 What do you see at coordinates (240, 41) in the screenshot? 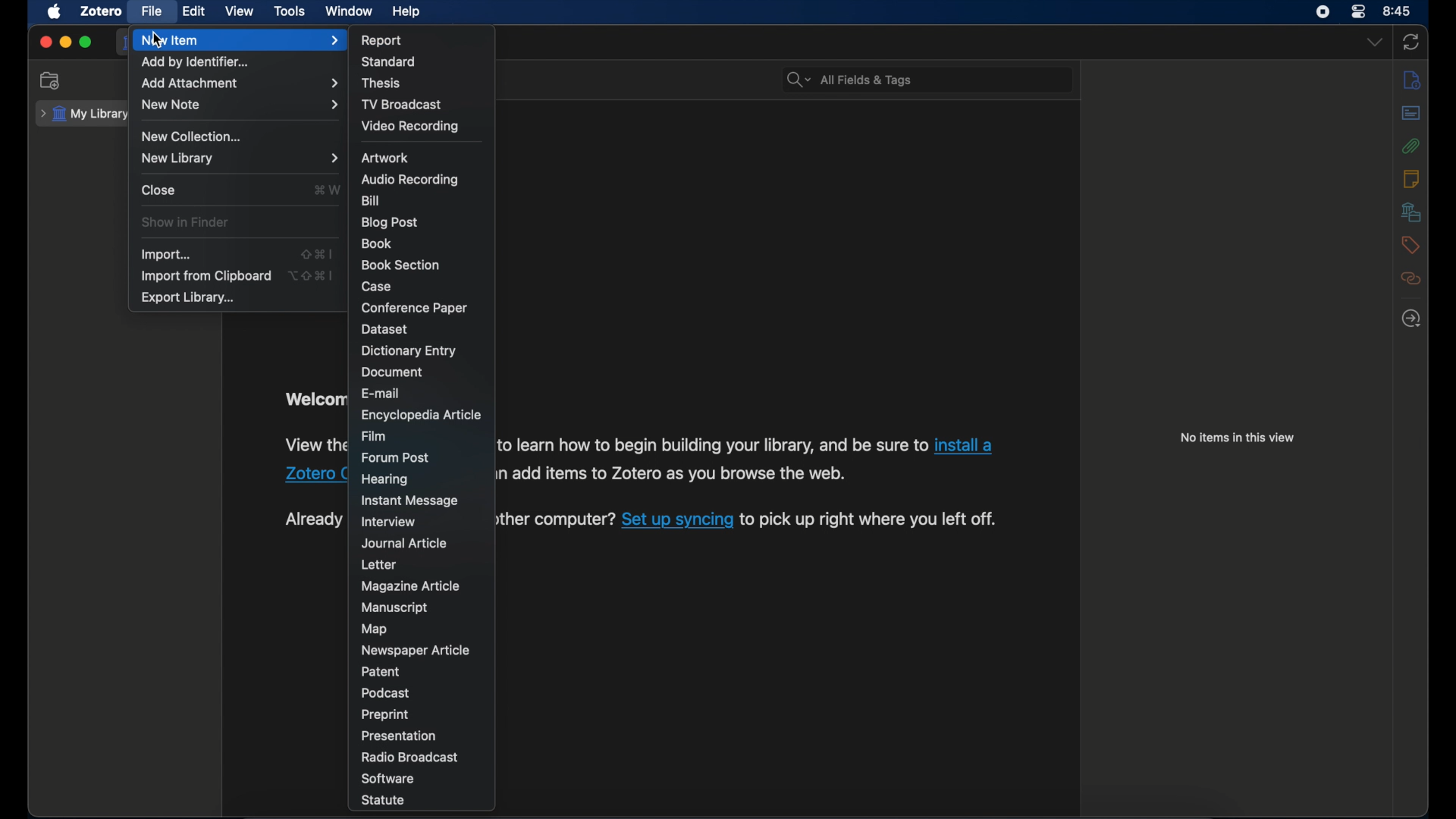
I see `new item` at bounding box center [240, 41].